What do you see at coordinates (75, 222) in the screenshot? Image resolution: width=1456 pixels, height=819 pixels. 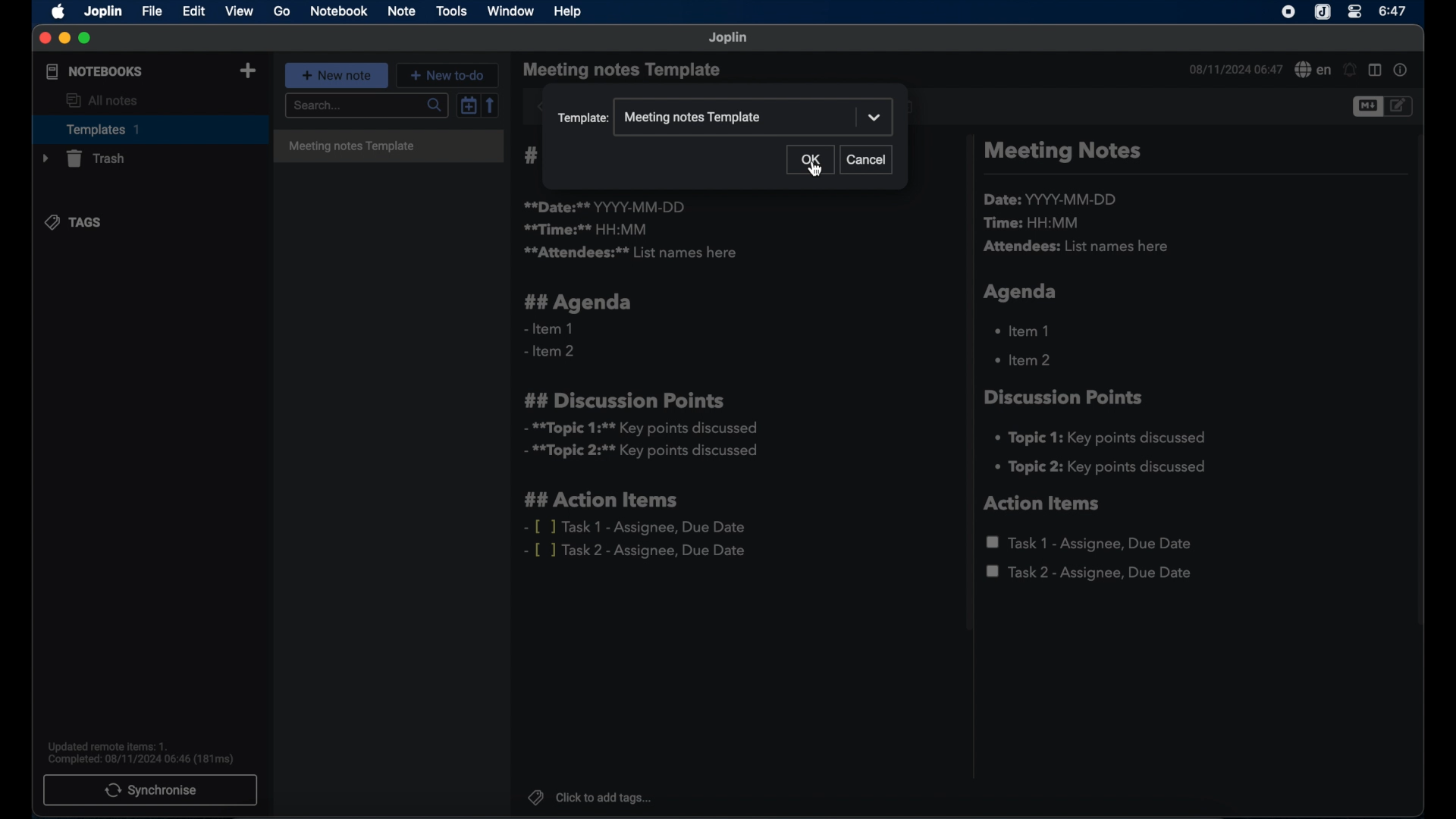 I see `tags` at bounding box center [75, 222].